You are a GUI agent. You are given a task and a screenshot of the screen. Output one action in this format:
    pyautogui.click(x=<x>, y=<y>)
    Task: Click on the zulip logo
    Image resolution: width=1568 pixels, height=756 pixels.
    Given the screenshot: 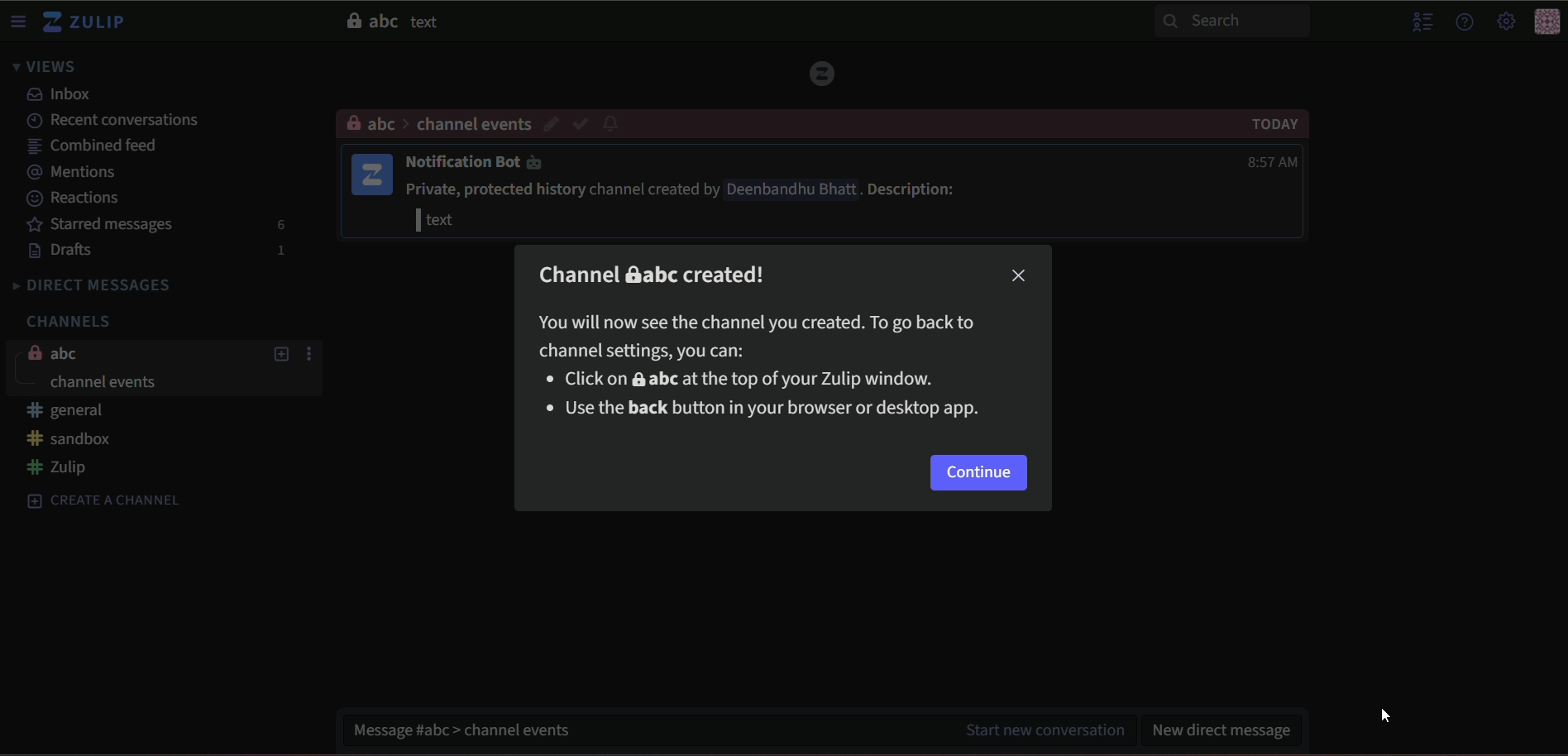 What is the action you would take?
    pyautogui.click(x=90, y=23)
    